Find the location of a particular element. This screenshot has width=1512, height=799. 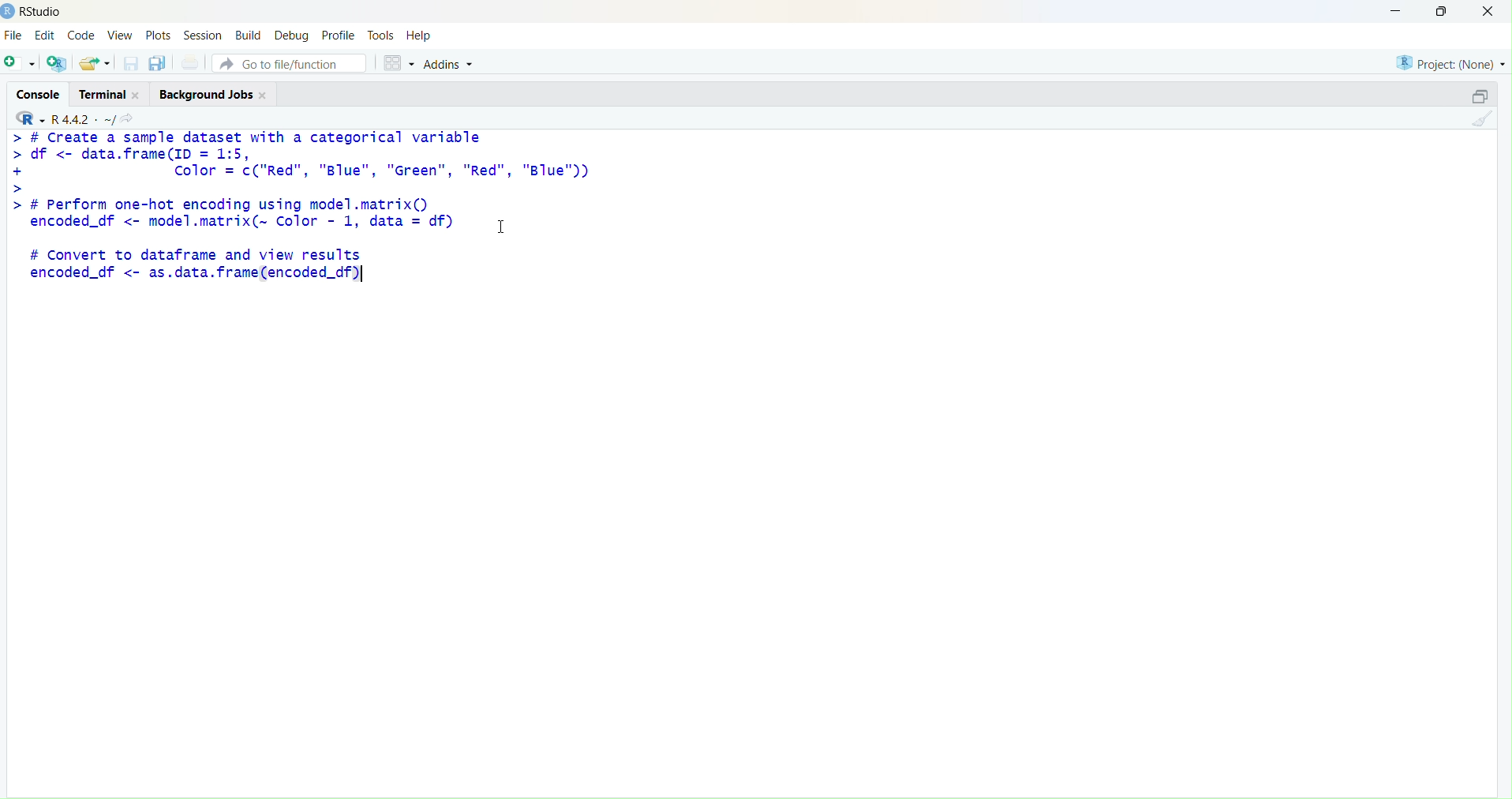

Build  is located at coordinates (250, 35).